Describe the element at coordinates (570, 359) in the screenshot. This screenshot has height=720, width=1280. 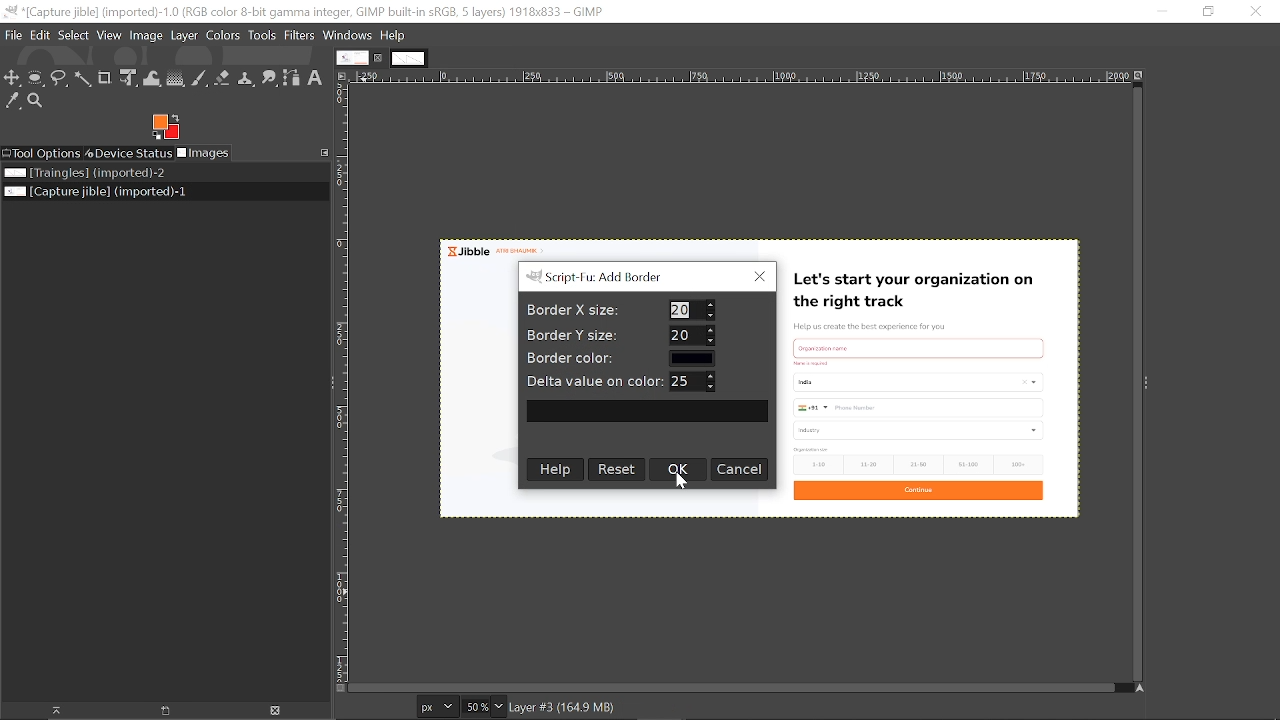
I see `Border color:` at that location.